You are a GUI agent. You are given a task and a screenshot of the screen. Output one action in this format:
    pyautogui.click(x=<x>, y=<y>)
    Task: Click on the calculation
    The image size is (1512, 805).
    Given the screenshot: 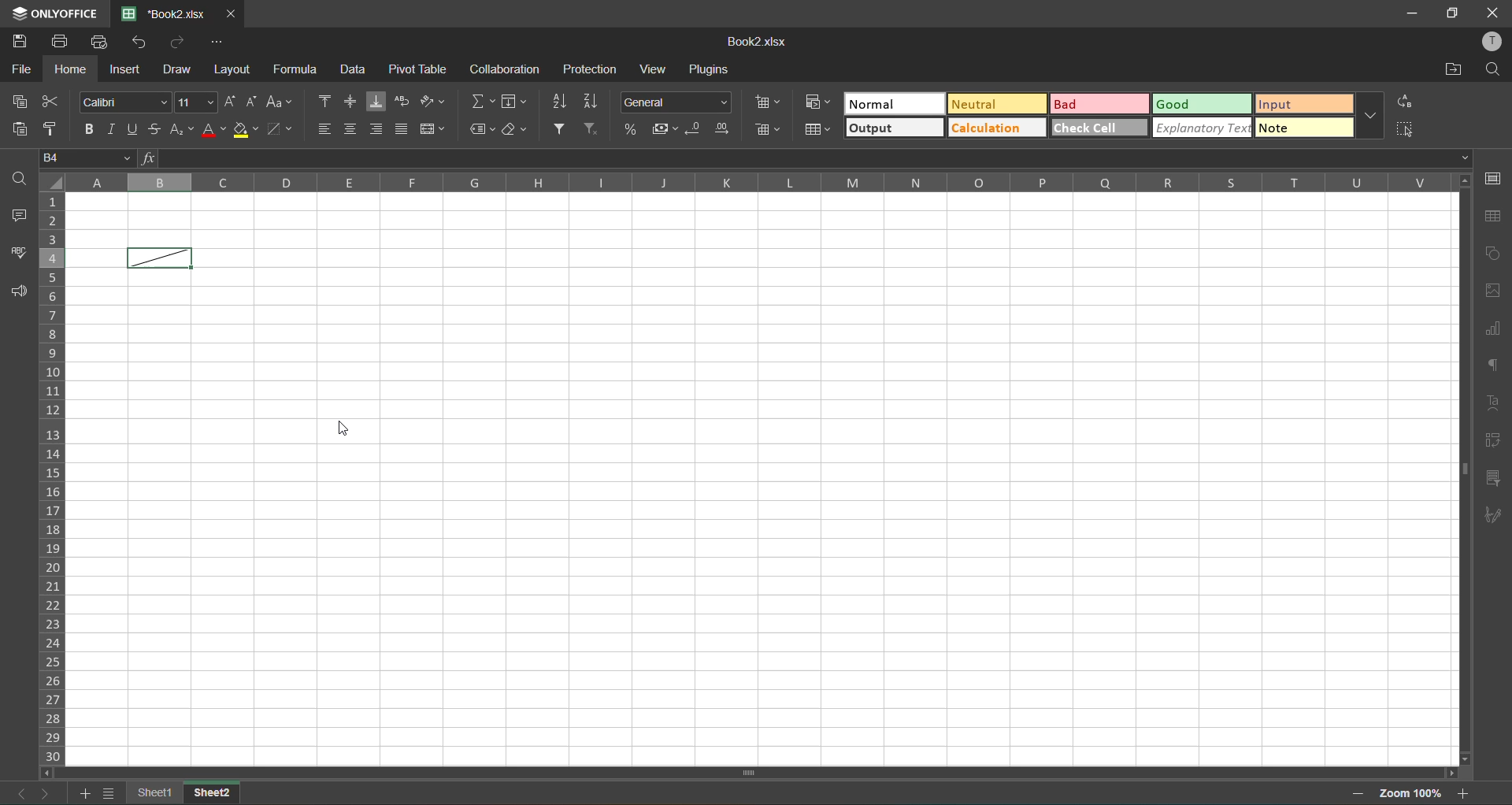 What is the action you would take?
    pyautogui.click(x=999, y=128)
    